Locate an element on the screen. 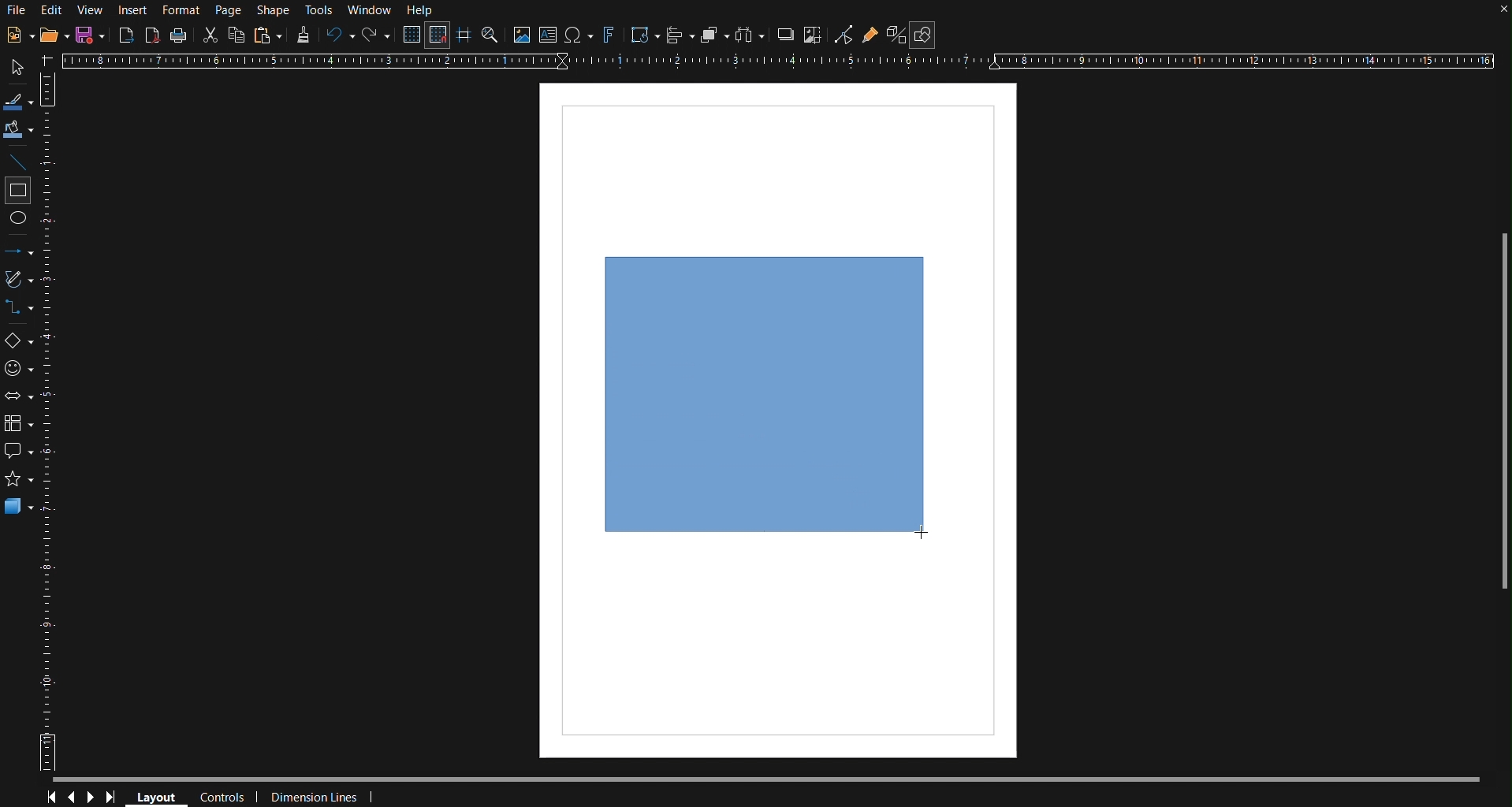  Fill Color is located at coordinates (20, 130).